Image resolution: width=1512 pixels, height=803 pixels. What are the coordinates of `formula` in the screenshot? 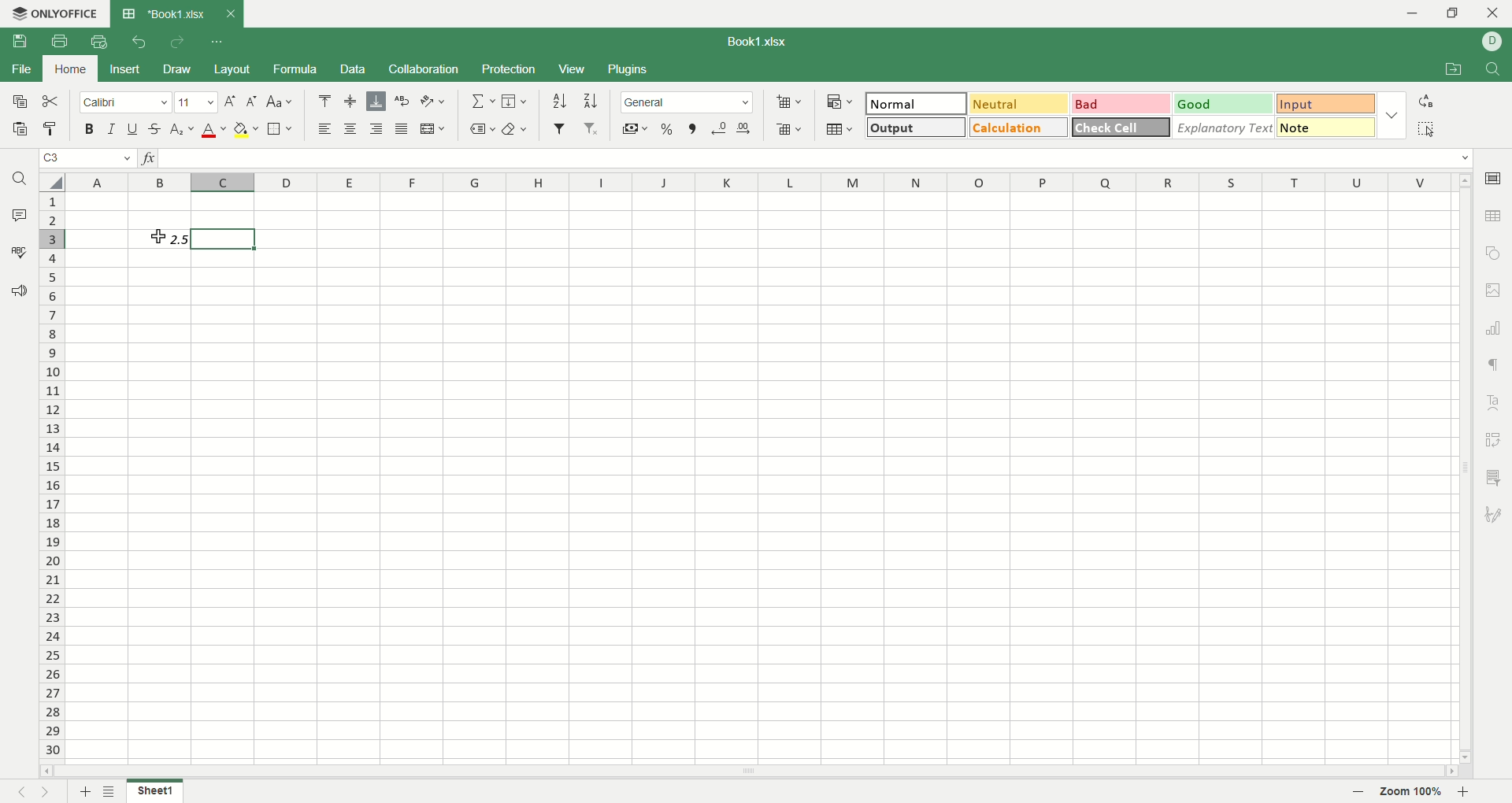 It's located at (297, 68).